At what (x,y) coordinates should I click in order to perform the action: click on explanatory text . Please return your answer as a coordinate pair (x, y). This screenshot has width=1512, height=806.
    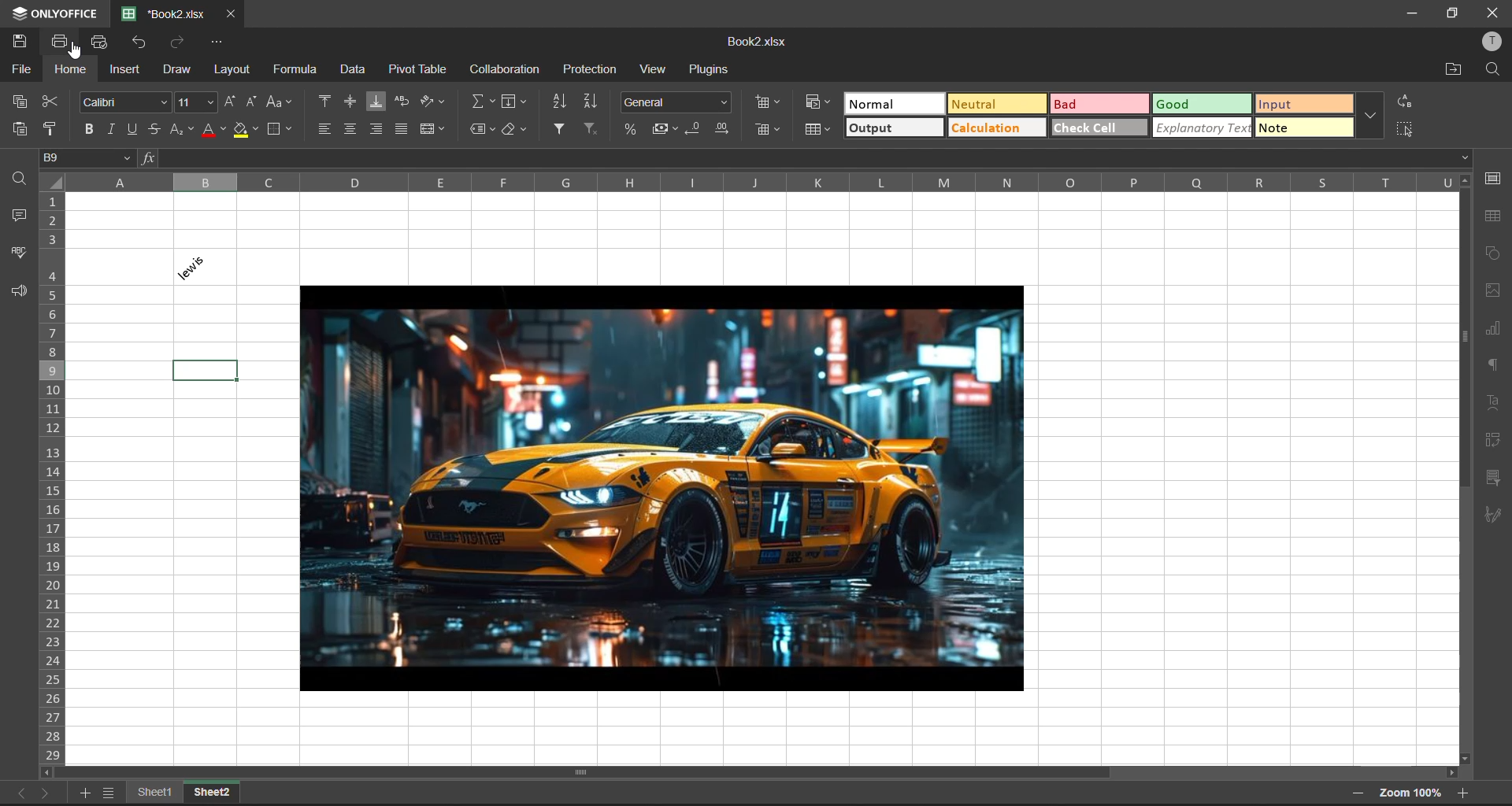
    Looking at the image, I should click on (1199, 128).